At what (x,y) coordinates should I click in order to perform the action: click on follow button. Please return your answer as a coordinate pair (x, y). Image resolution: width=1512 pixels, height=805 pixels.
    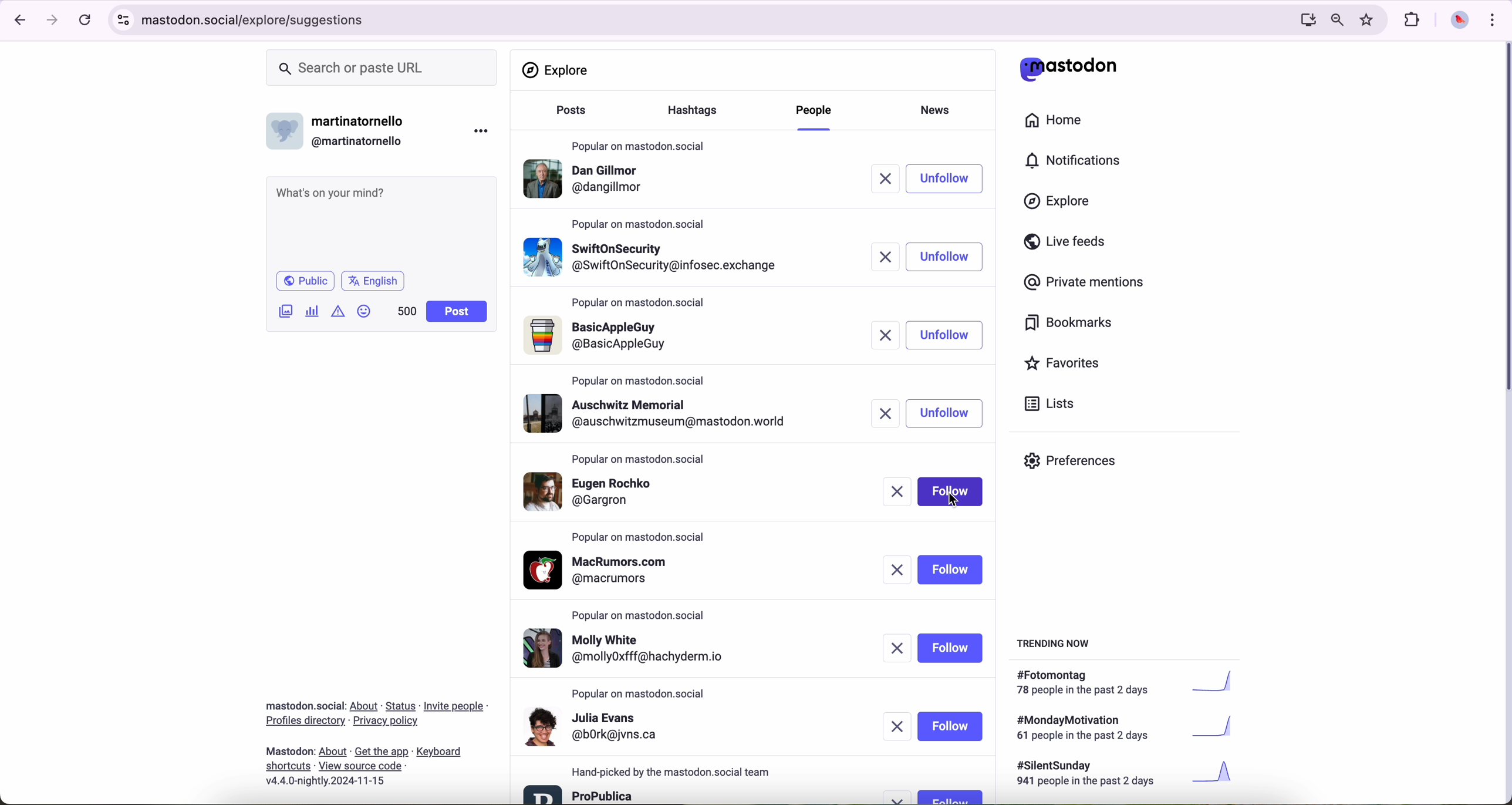
    Looking at the image, I should click on (950, 570).